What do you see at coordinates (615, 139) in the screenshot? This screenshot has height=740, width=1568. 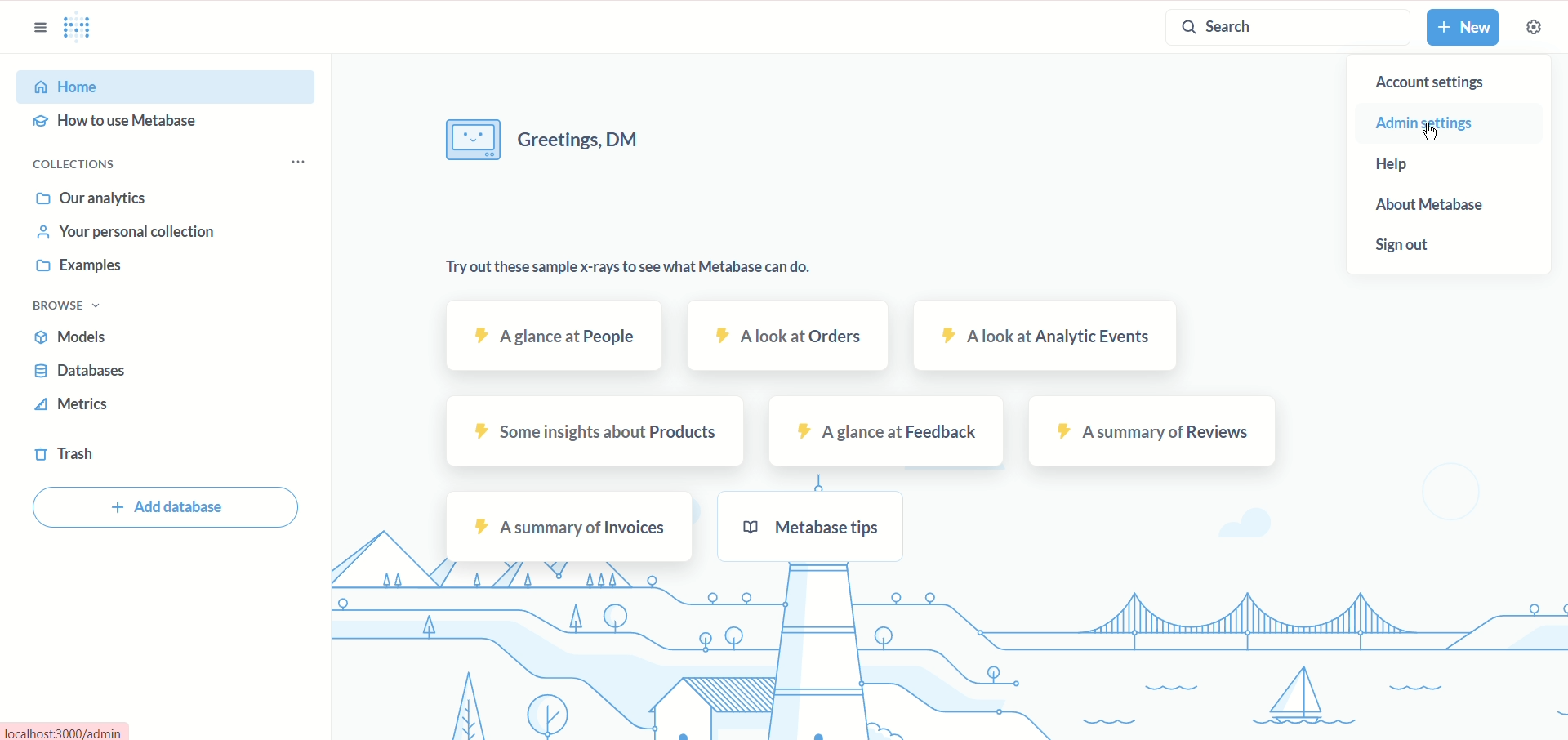 I see `Greetings` at bounding box center [615, 139].